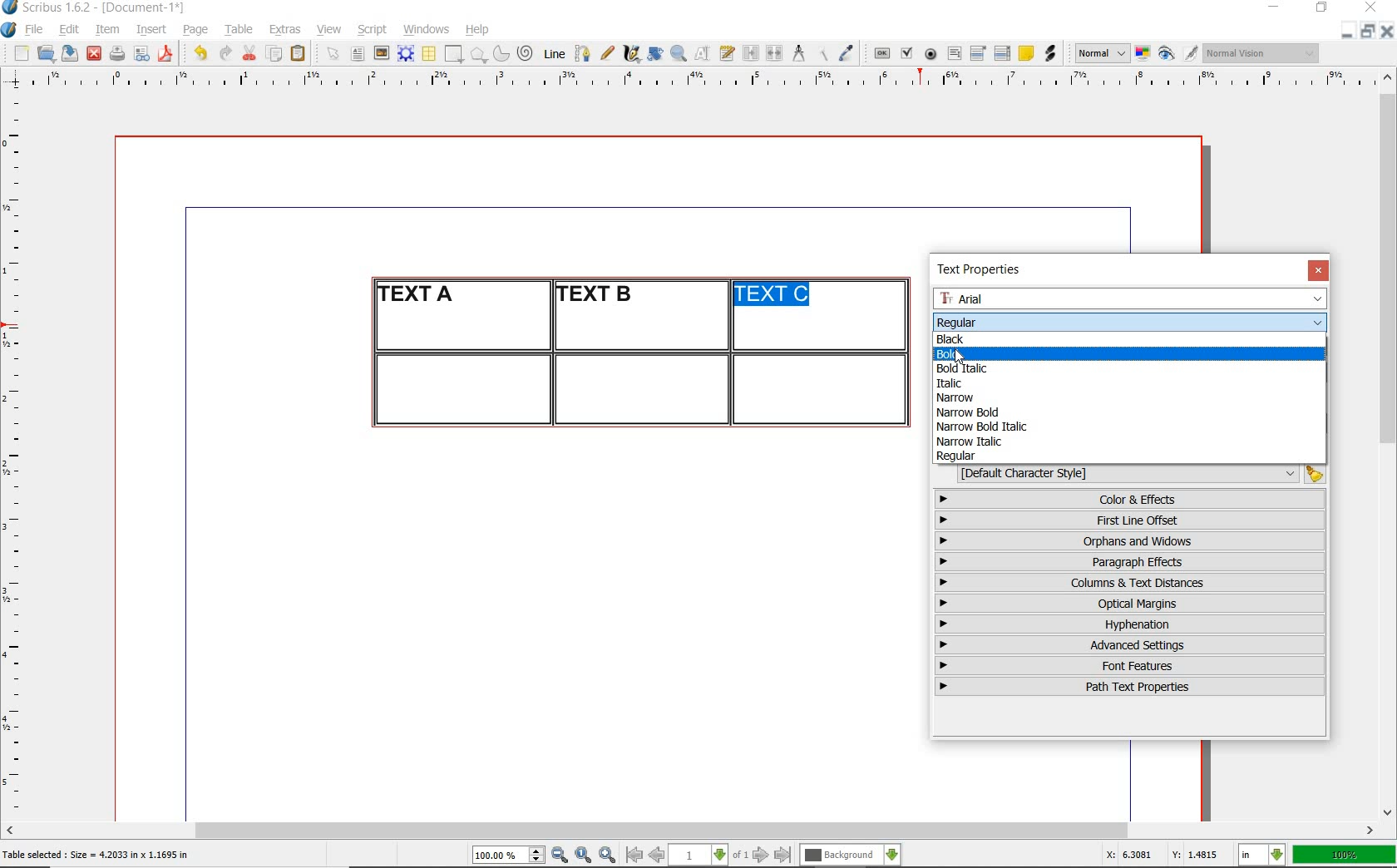 Image resolution: width=1397 pixels, height=868 pixels. I want to click on pdf list box, so click(1003, 53).